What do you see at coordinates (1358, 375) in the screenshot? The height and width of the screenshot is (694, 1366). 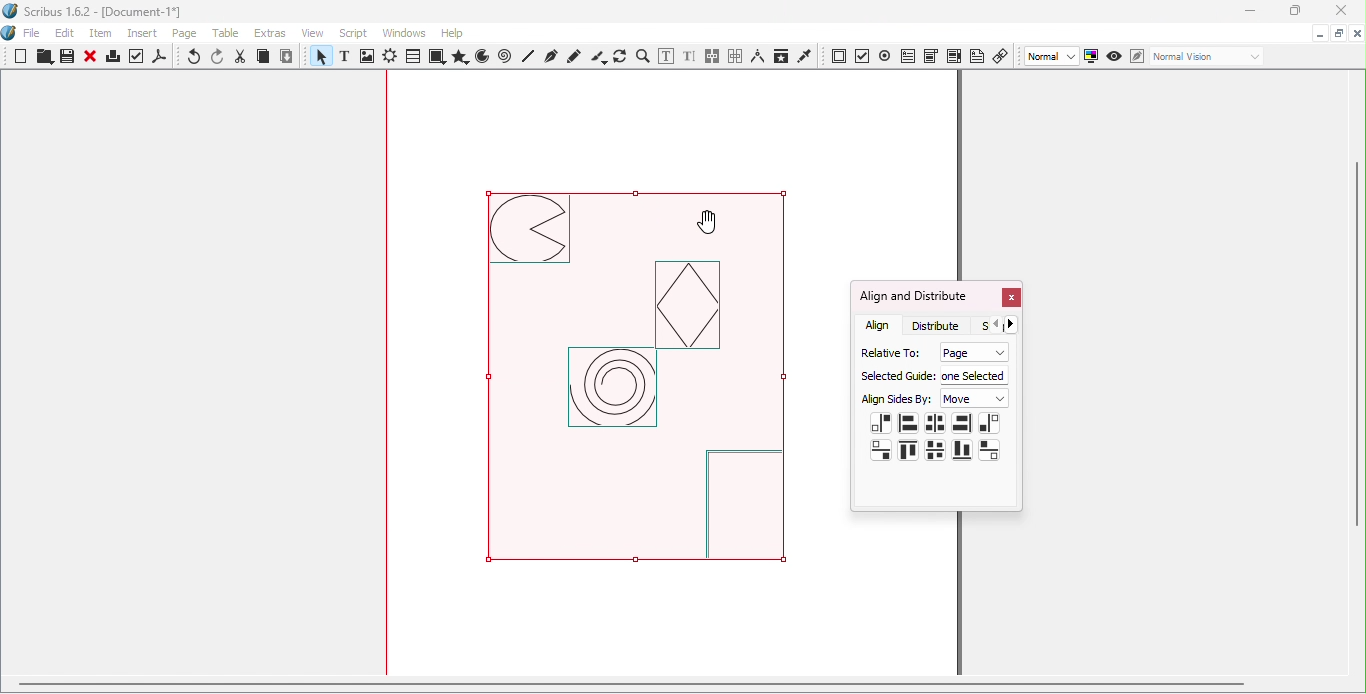 I see `Vertical scroll bar` at bounding box center [1358, 375].